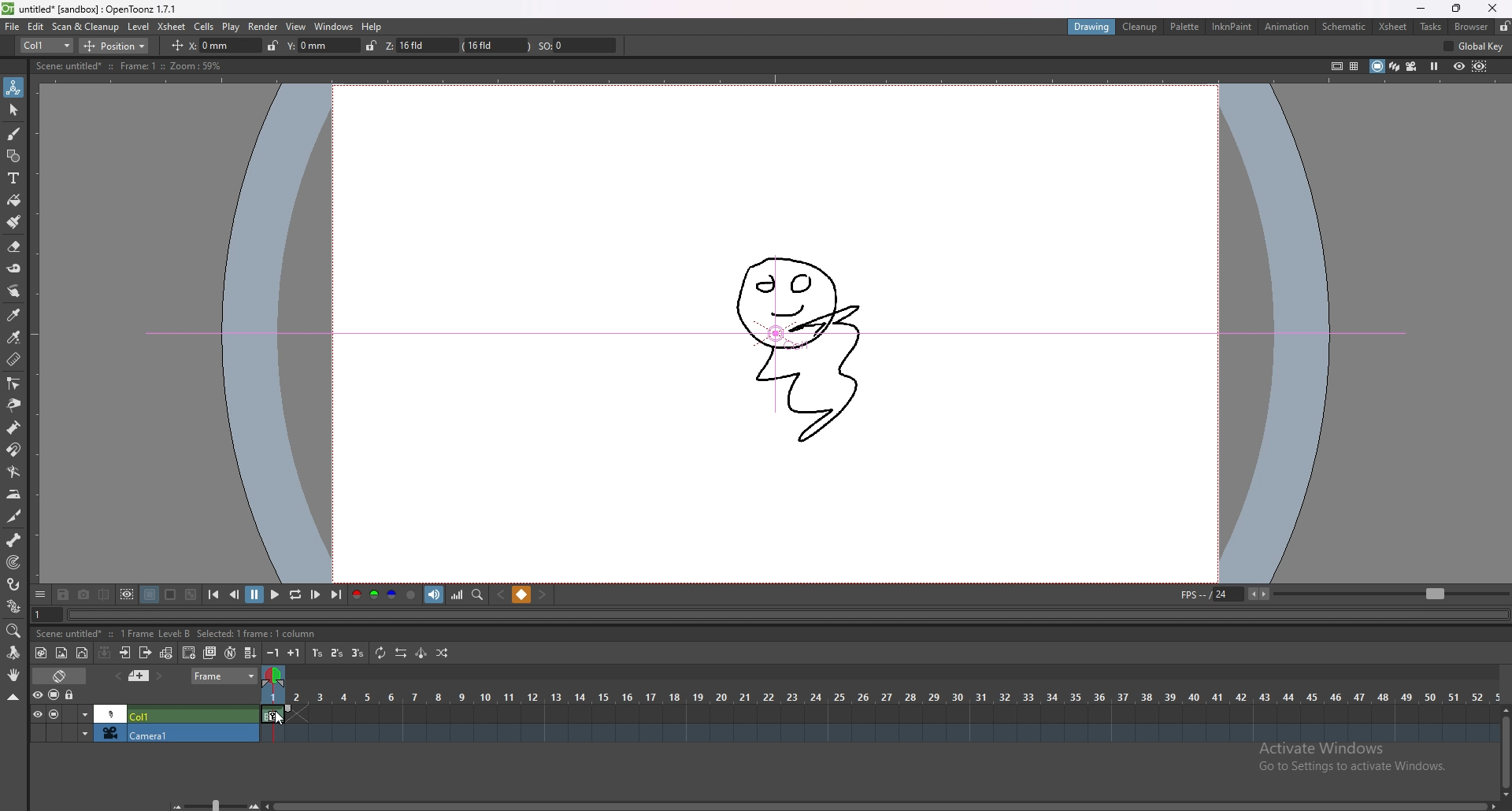 The height and width of the screenshot is (811, 1512). I want to click on frame, so click(224, 676).